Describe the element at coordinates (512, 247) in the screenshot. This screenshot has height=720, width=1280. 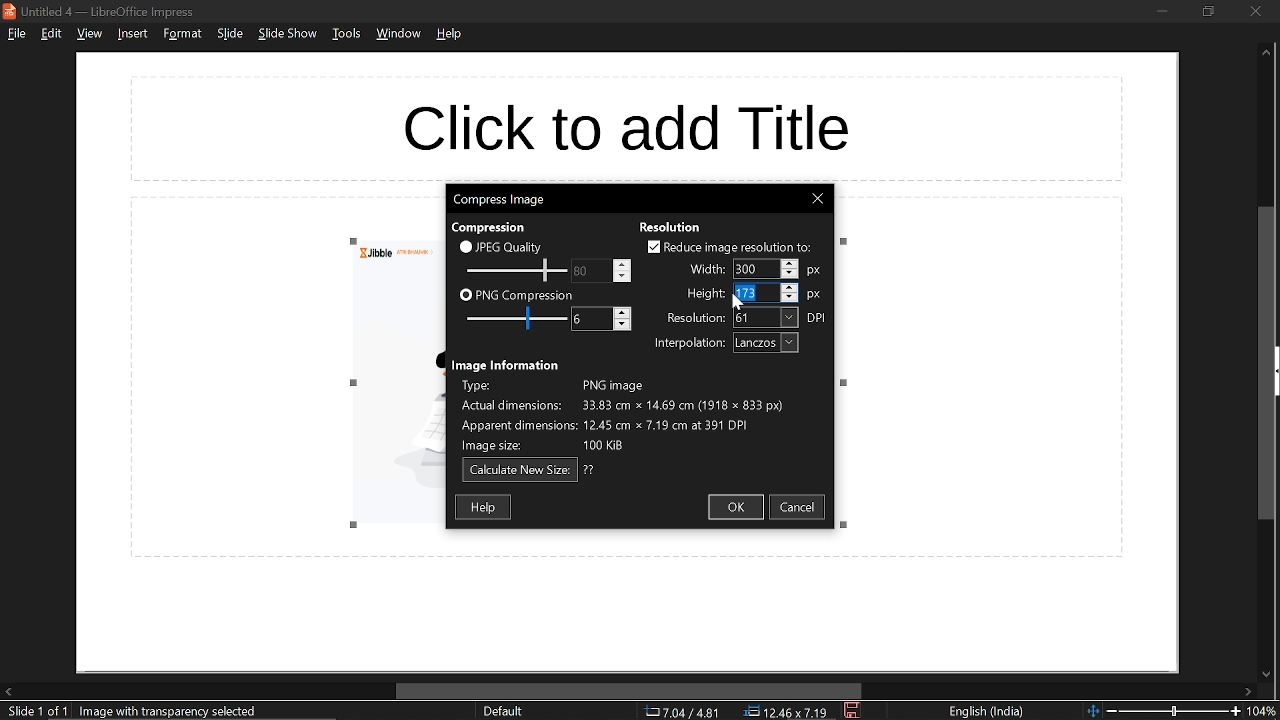
I see `JPEG quality` at that location.